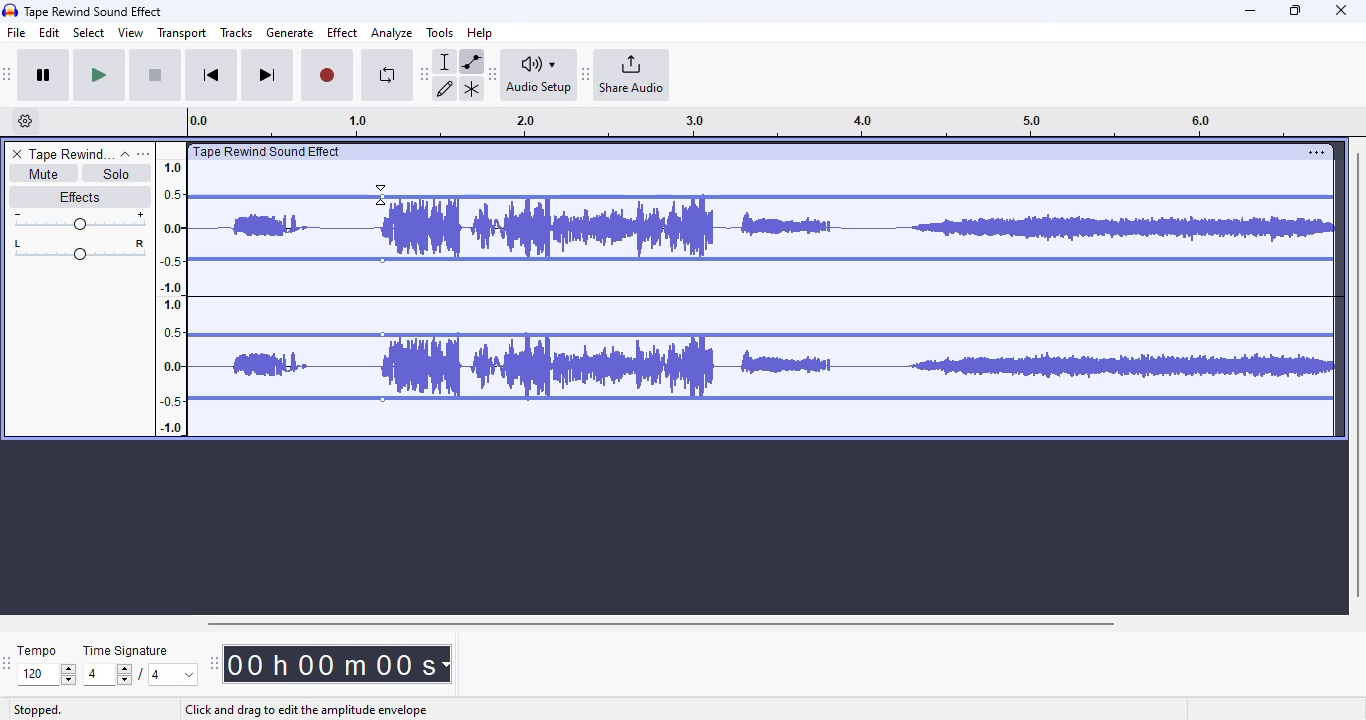 Image resolution: width=1366 pixels, height=720 pixels. What do you see at coordinates (1316, 152) in the screenshot?
I see `settings` at bounding box center [1316, 152].